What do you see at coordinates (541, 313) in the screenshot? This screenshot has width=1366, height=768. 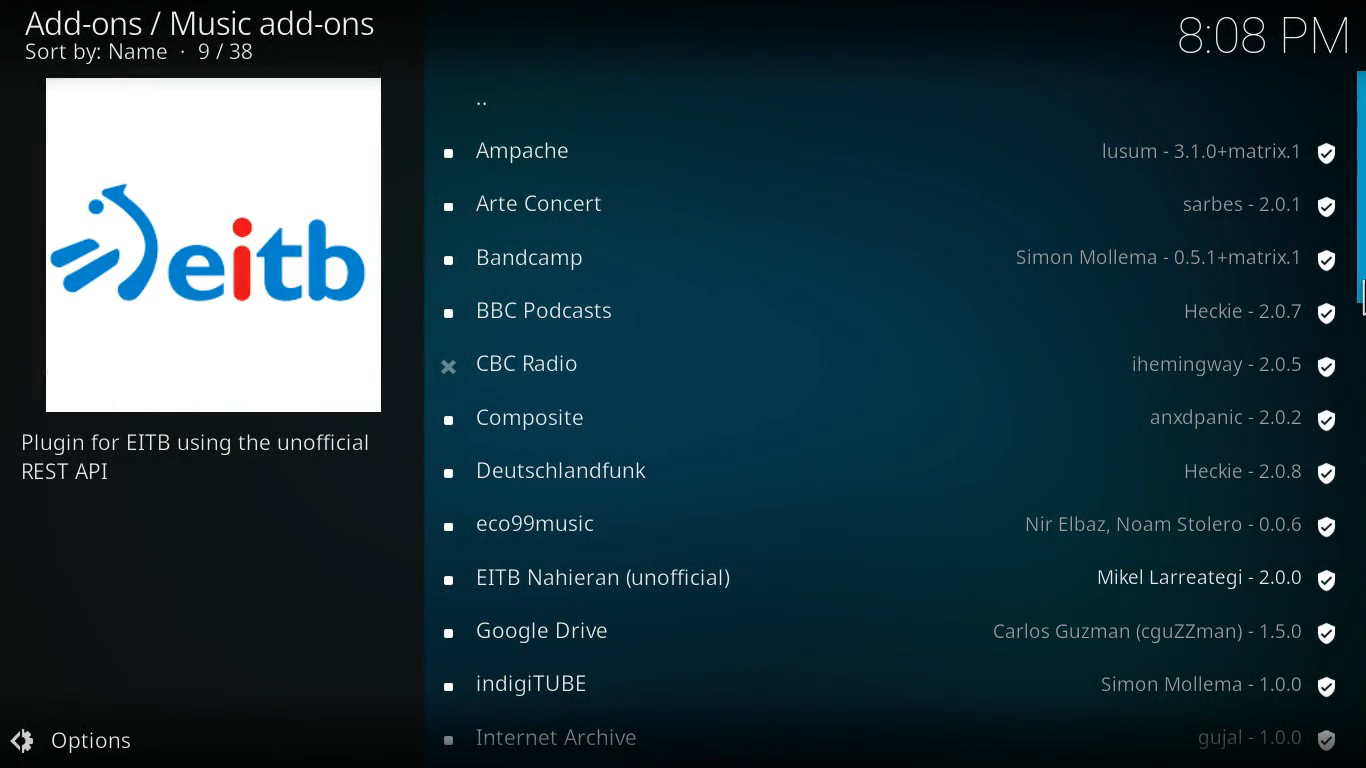 I see `add-ons` at bounding box center [541, 313].